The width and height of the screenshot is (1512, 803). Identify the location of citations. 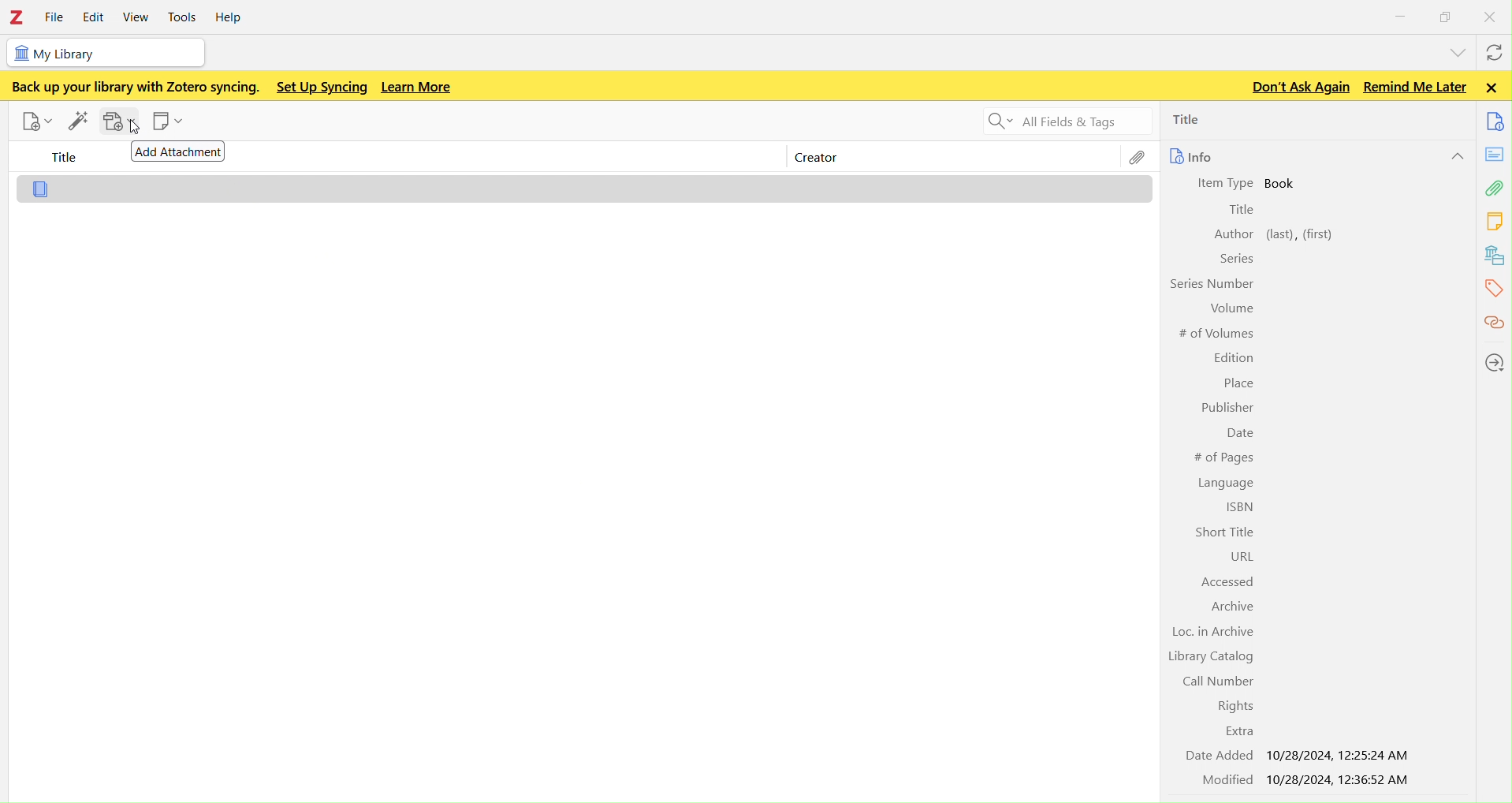
(1495, 323).